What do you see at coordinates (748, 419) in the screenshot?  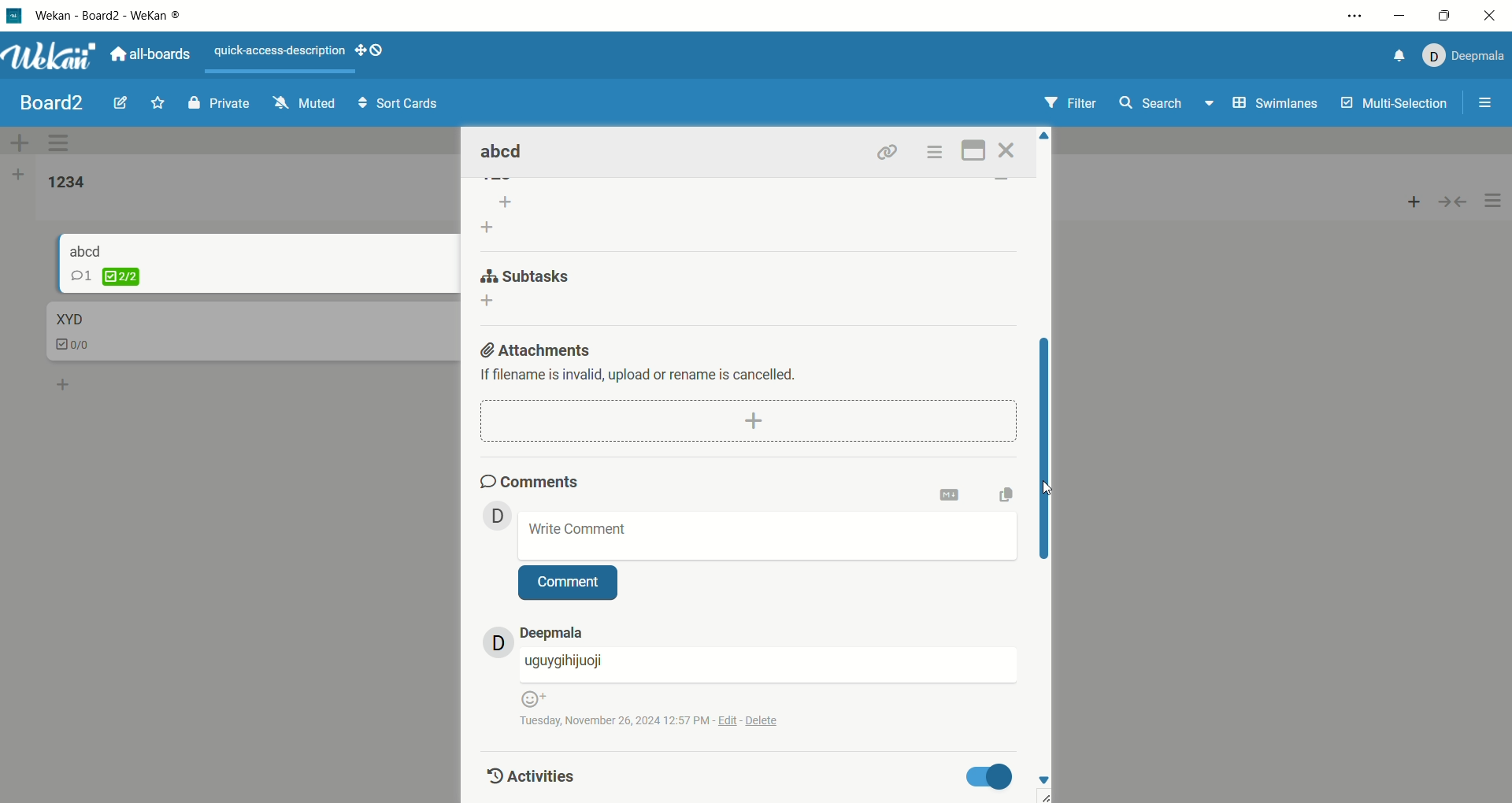 I see `add` at bounding box center [748, 419].